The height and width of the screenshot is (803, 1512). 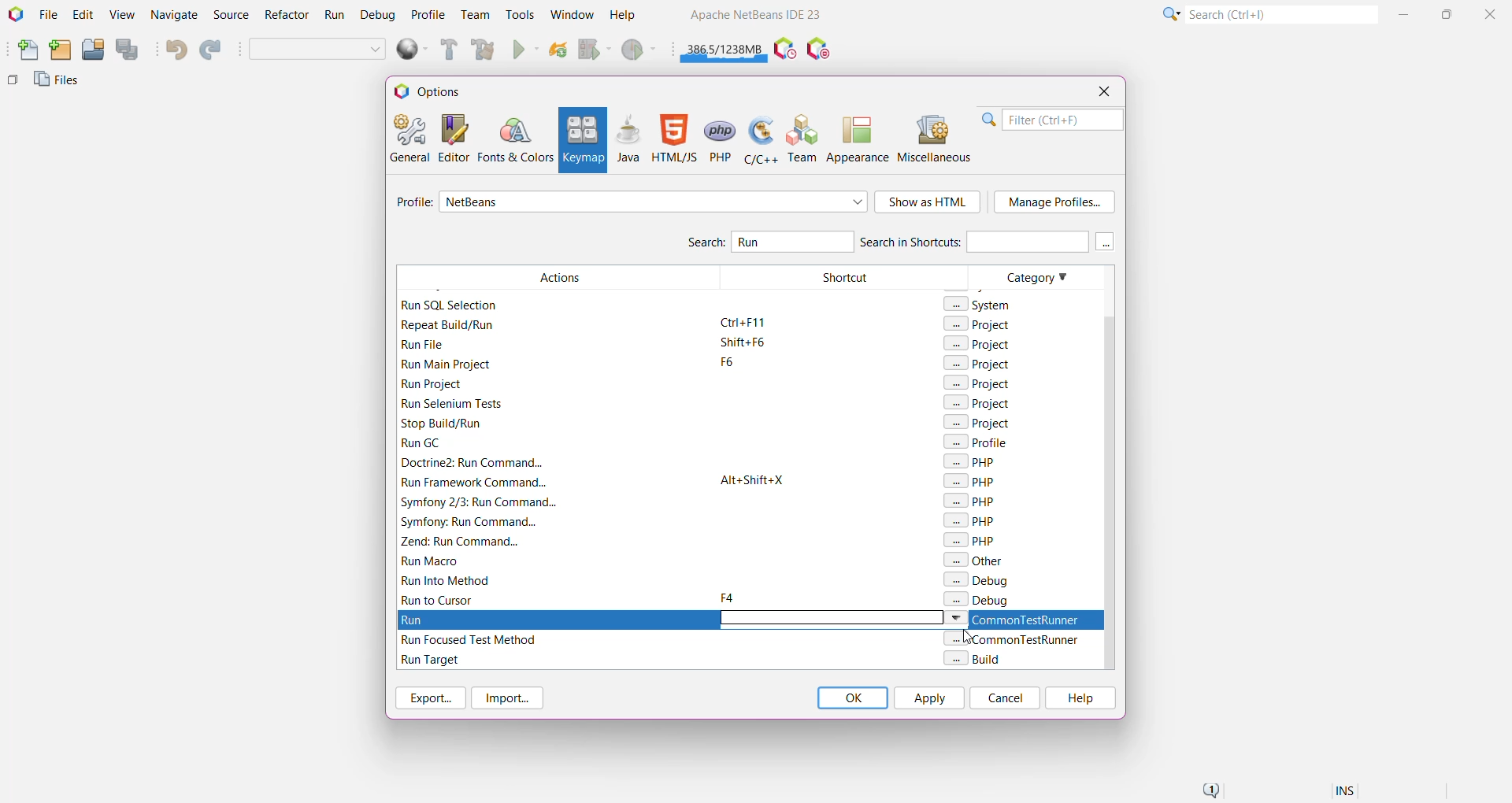 I want to click on Save All, so click(x=128, y=50).